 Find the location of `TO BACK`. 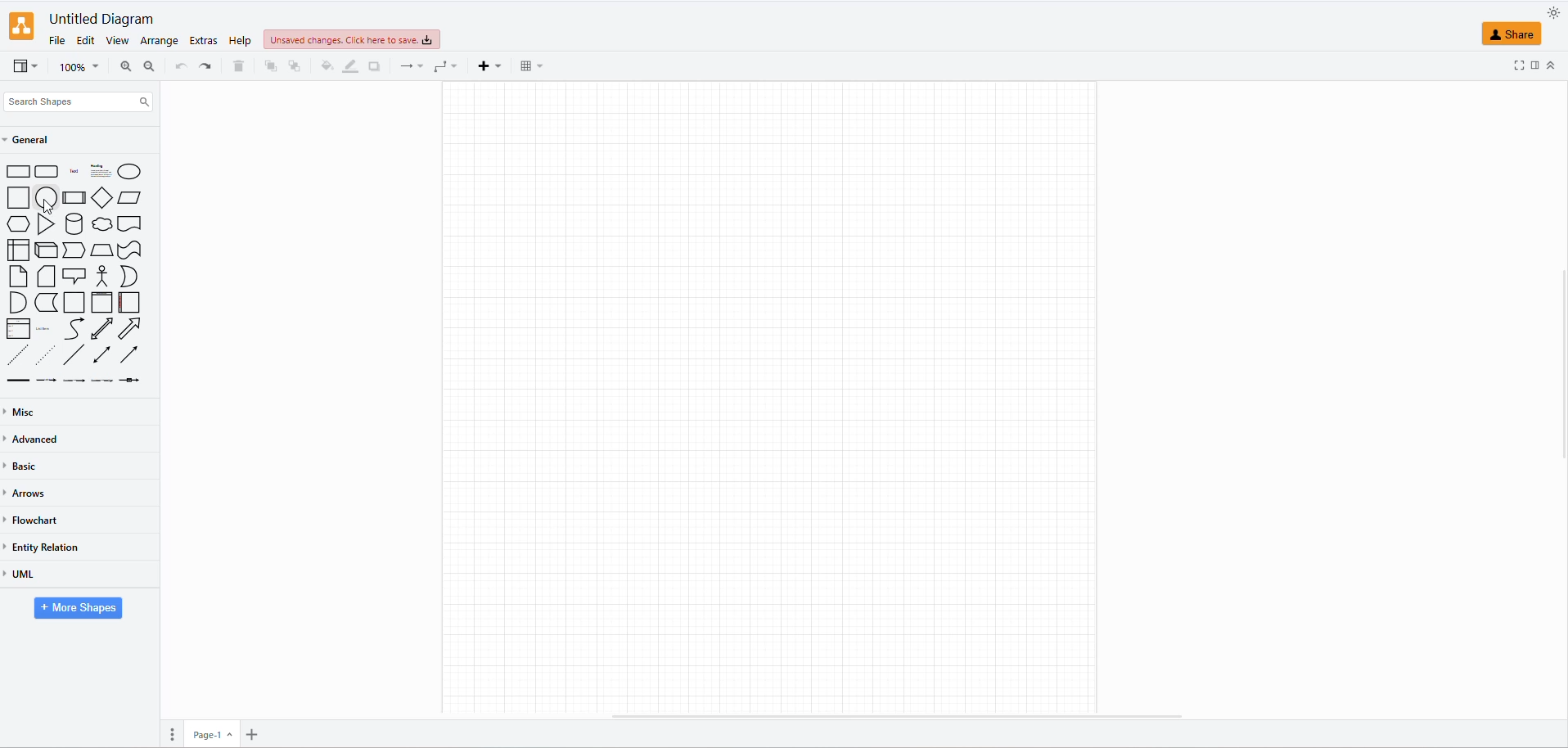

TO BACK is located at coordinates (292, 66).